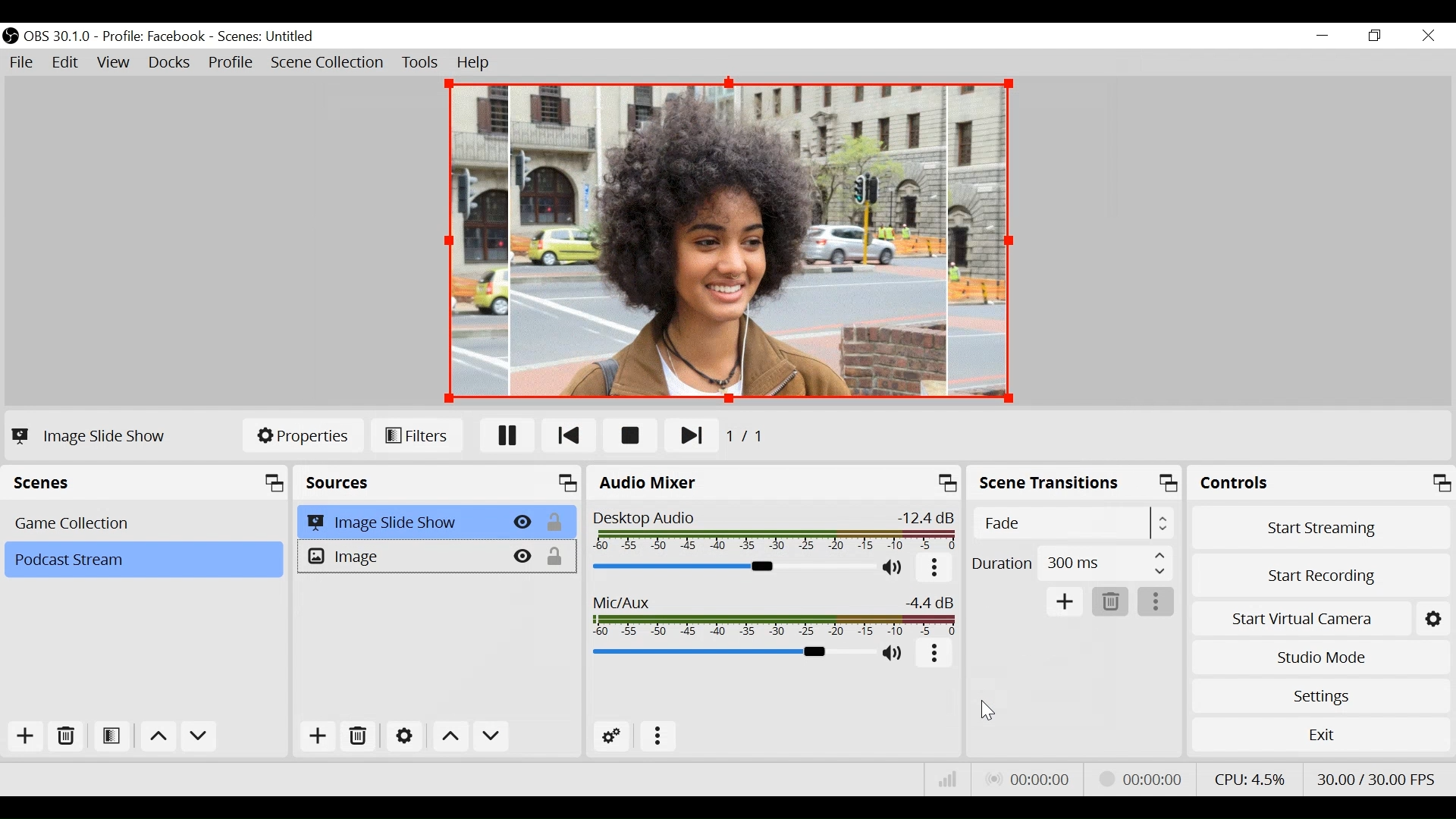 This screenshot has height=819, width=1456. What do you see at coordinates (161, 739) in the screenshot?
I see `Move up` at bounding box center [161, 739].